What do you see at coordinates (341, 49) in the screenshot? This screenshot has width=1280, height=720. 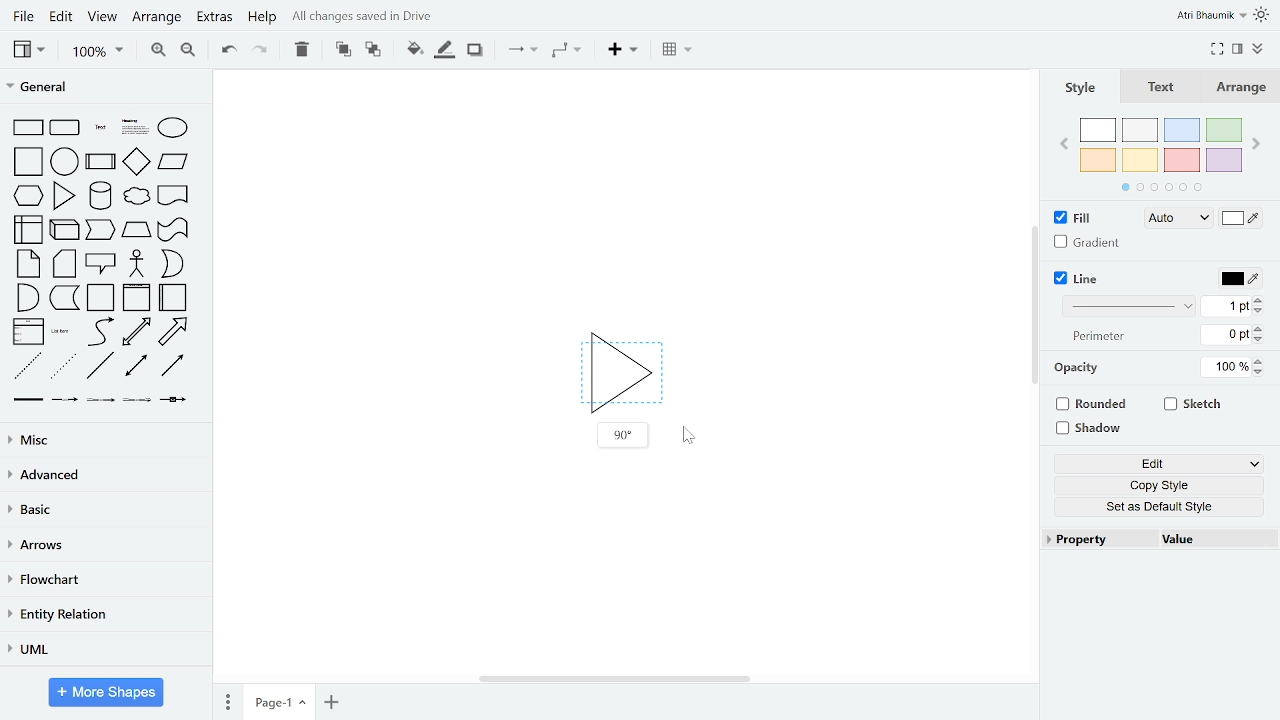 I see `to front` at bounding box center [341, 49].